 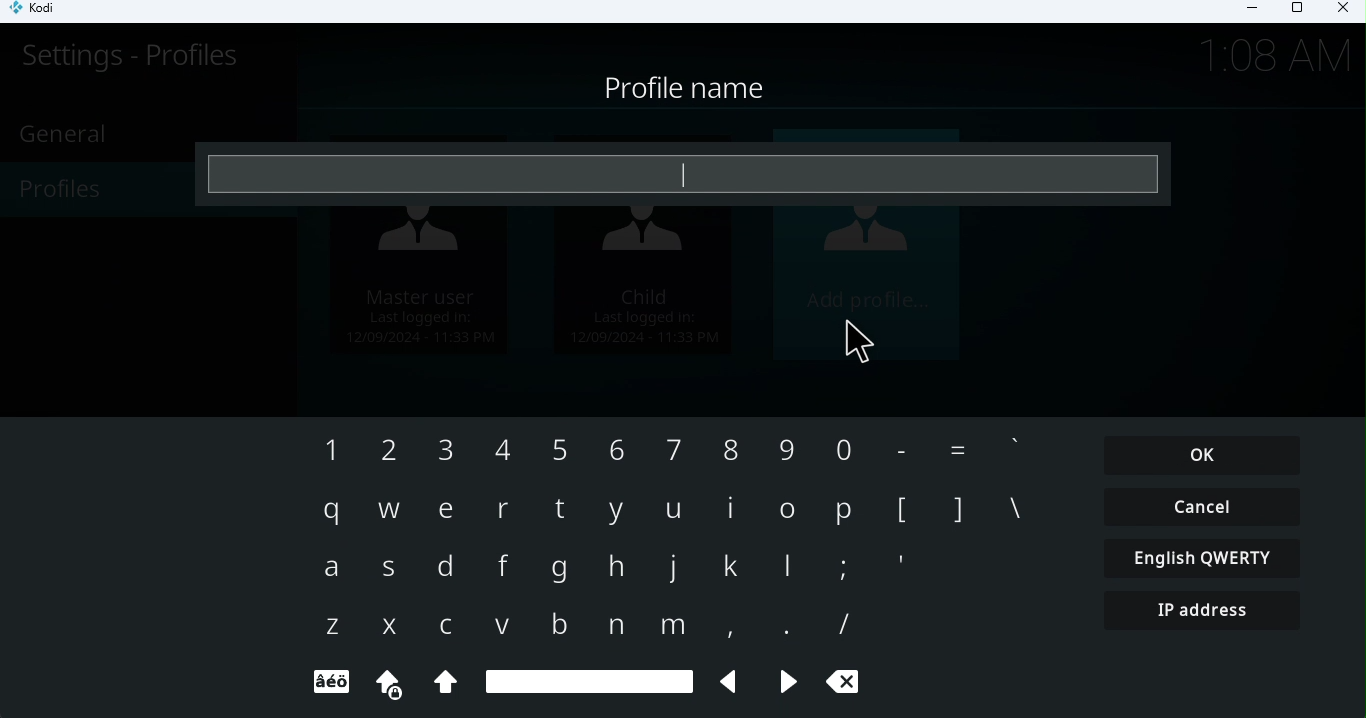 What do you see at coordinates (573, 564) in the screenshot?
I see `Keyboard` at bounding box center [573, 564].